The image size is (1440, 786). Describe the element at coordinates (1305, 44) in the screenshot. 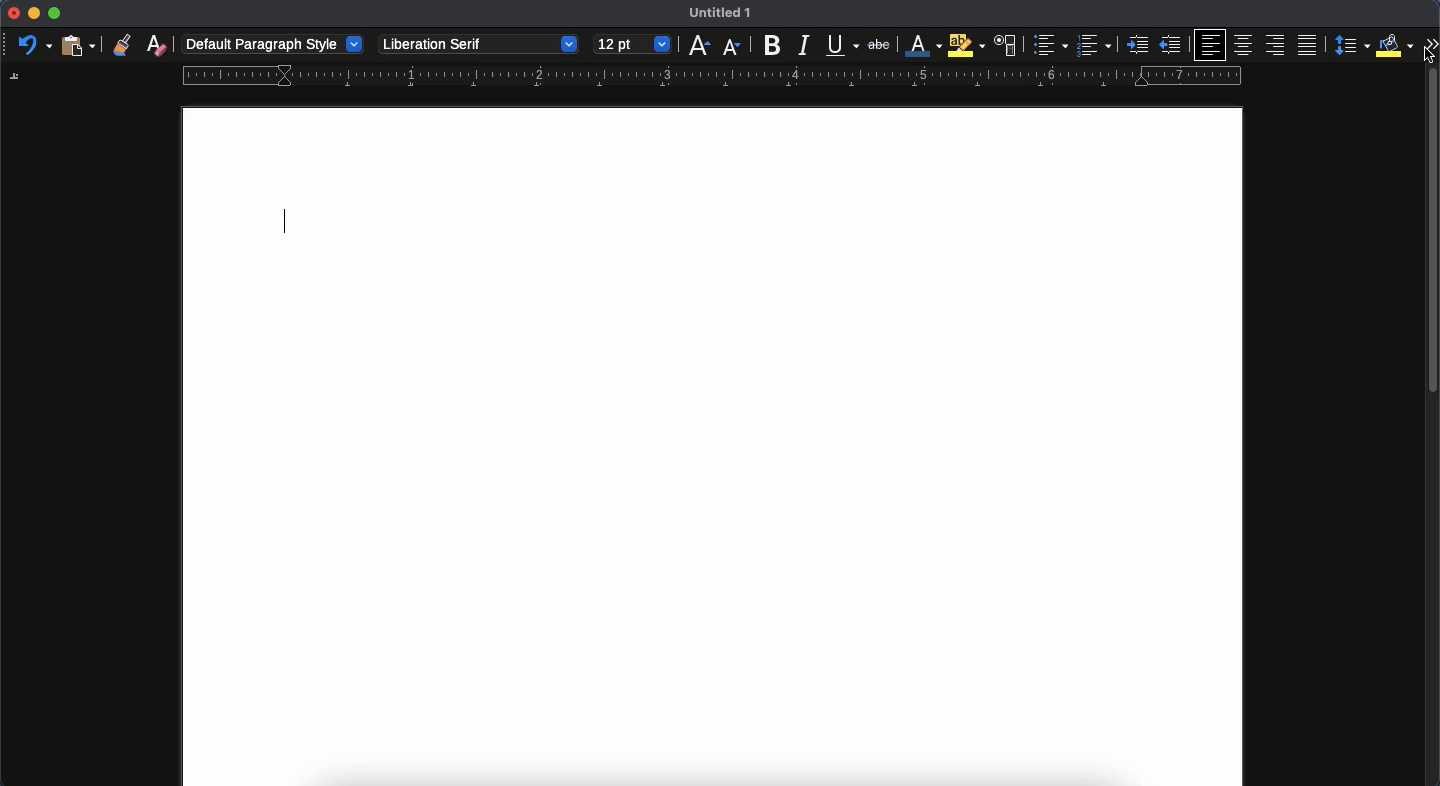

I see `justification` at that location.